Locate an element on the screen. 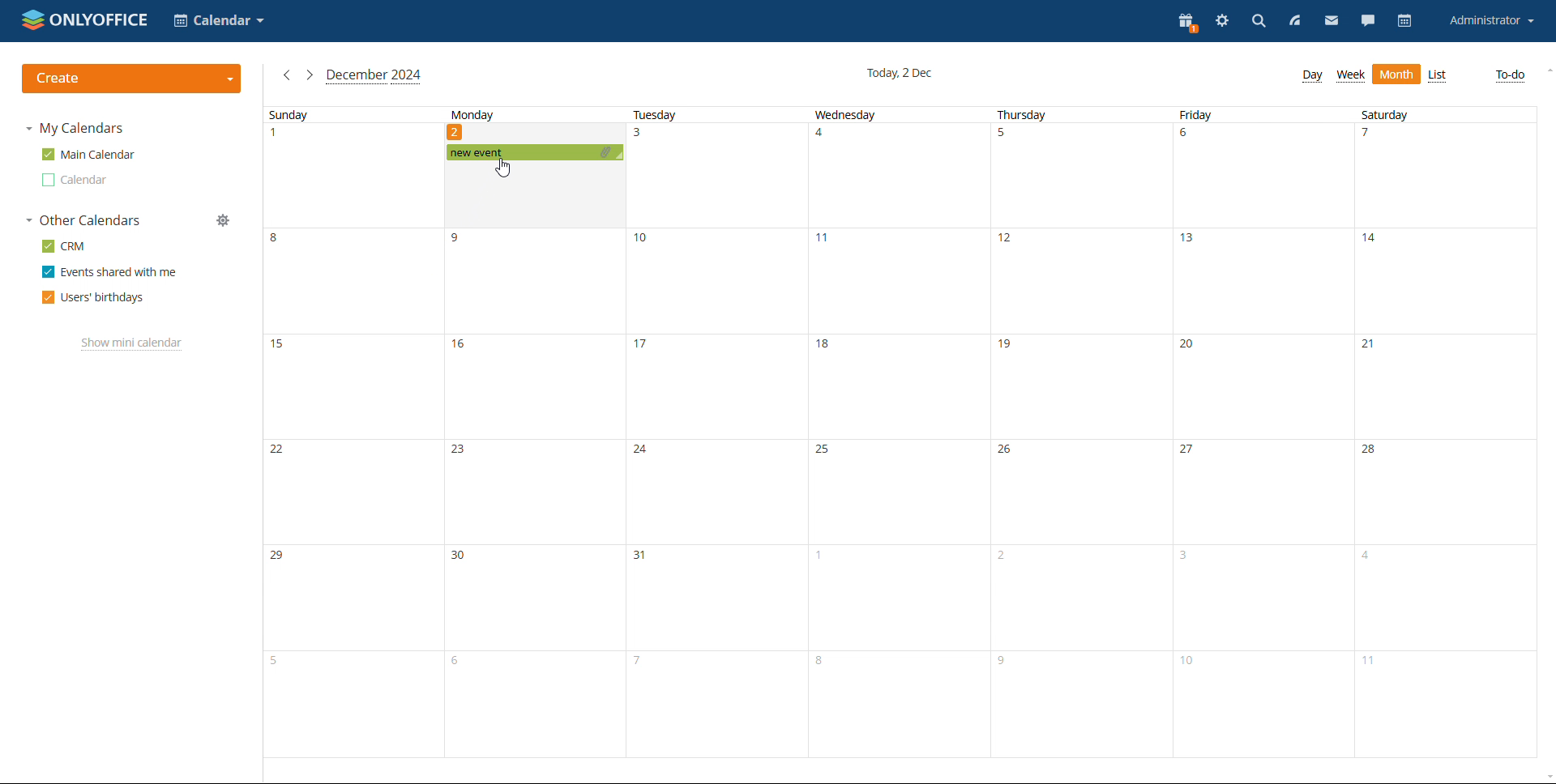 The width and height of the screenshot is (1556, 784). 6 is located at coordinates (459, 665).